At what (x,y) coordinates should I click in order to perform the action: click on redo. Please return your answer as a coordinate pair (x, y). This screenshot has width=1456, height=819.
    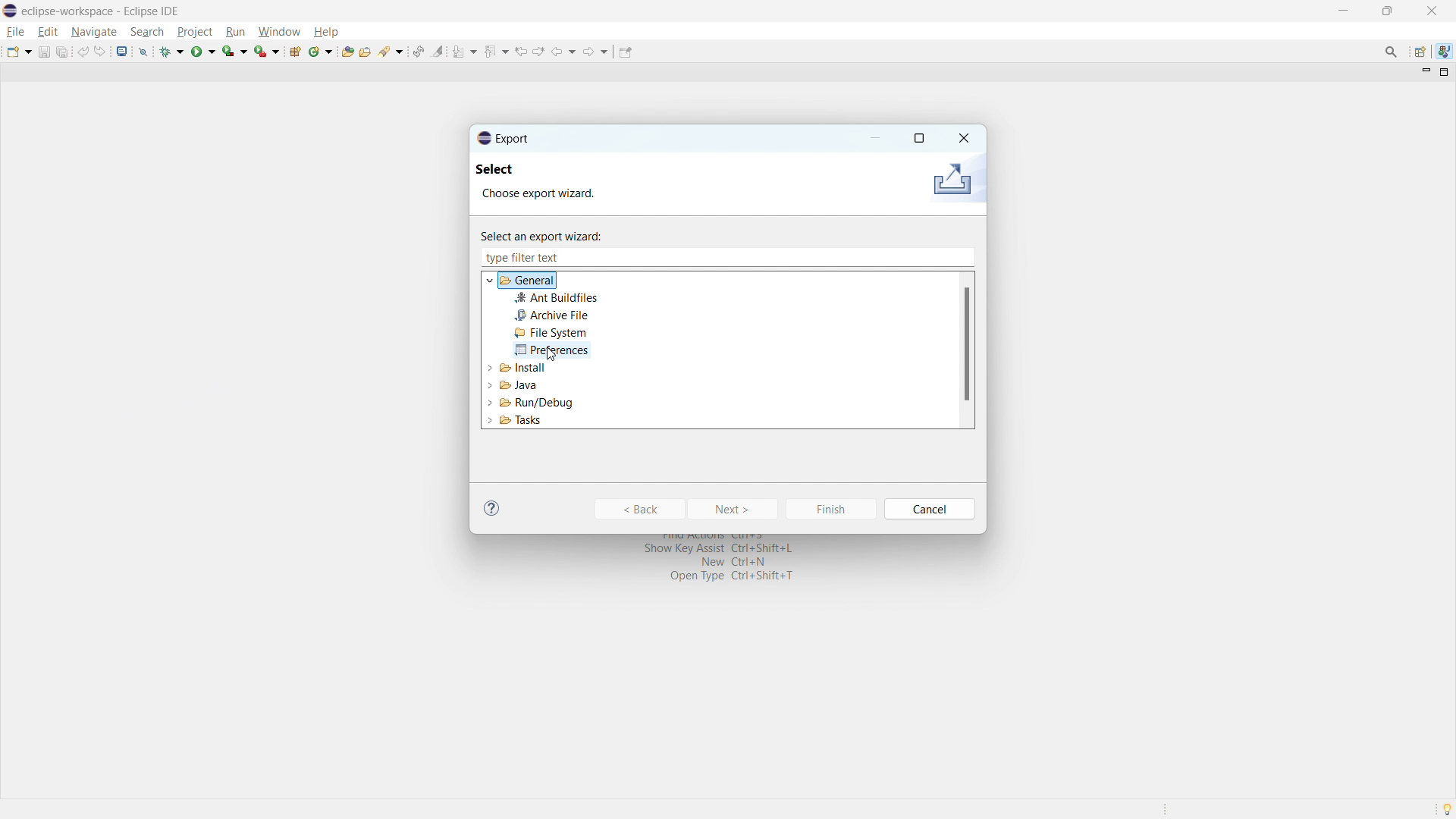
    Looking at the image, I should click on (100, 52).